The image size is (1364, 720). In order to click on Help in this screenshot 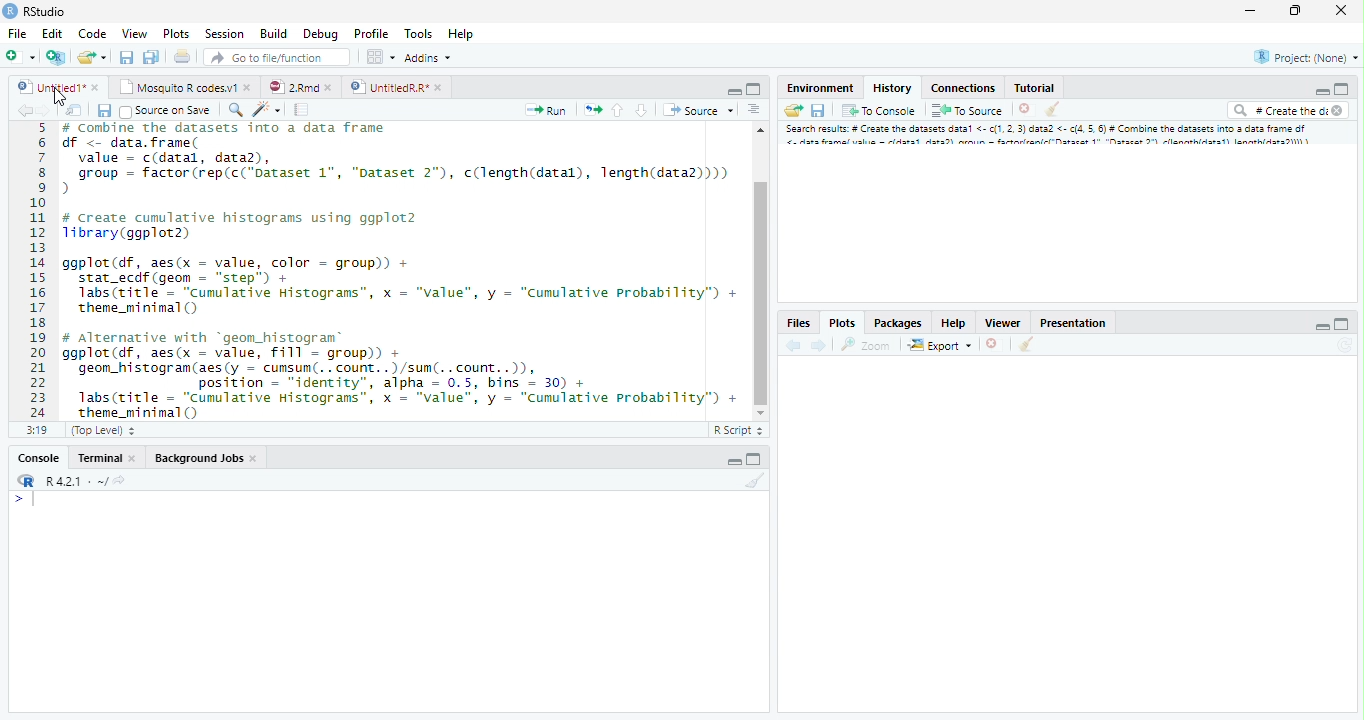, I will do `click(953, 322)`.